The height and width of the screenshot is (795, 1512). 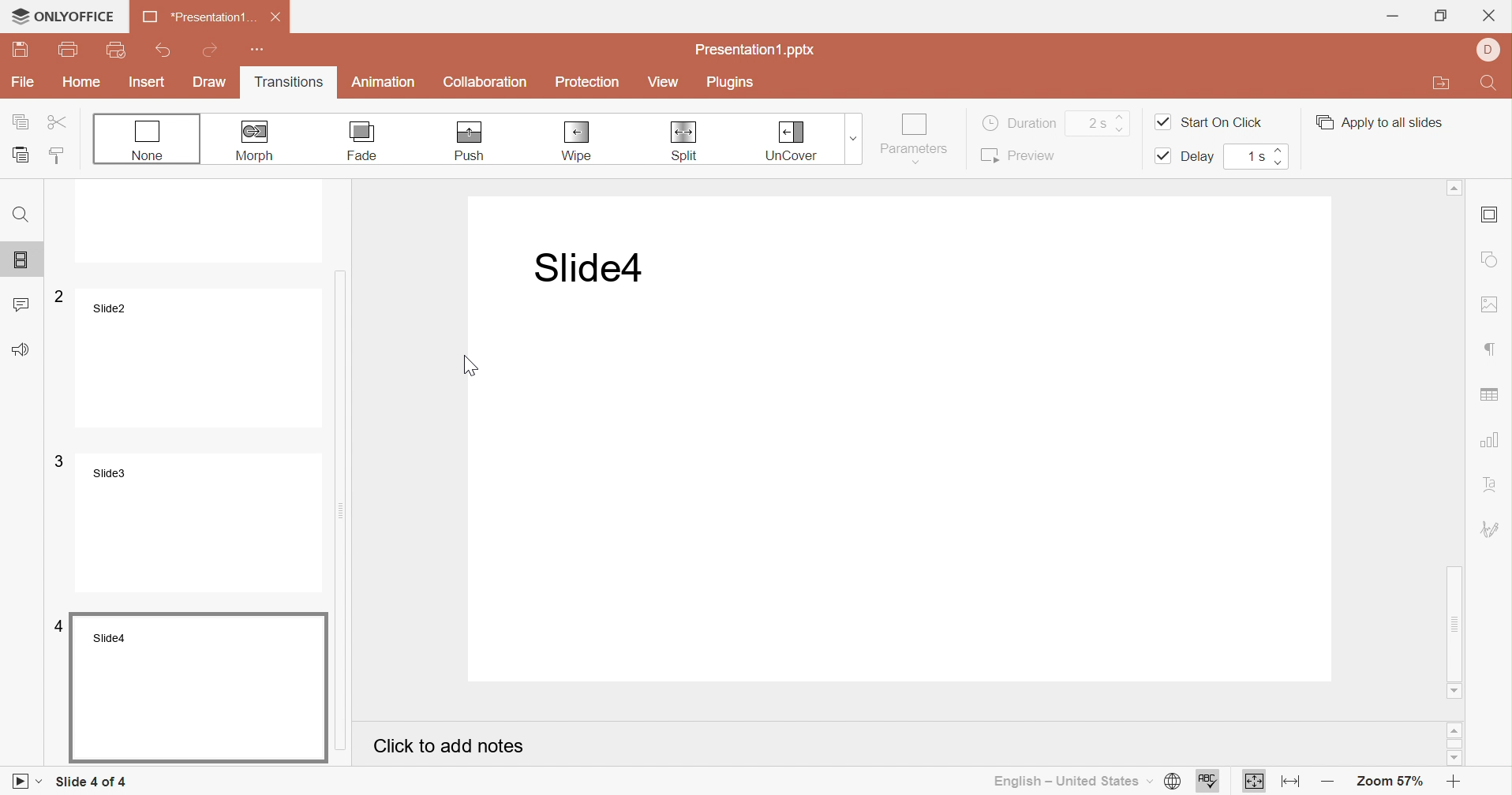 What do you see at coordinates (1493, 484) in the screenshot?
I see `Text art settings` at bounding box center [1493, 484].